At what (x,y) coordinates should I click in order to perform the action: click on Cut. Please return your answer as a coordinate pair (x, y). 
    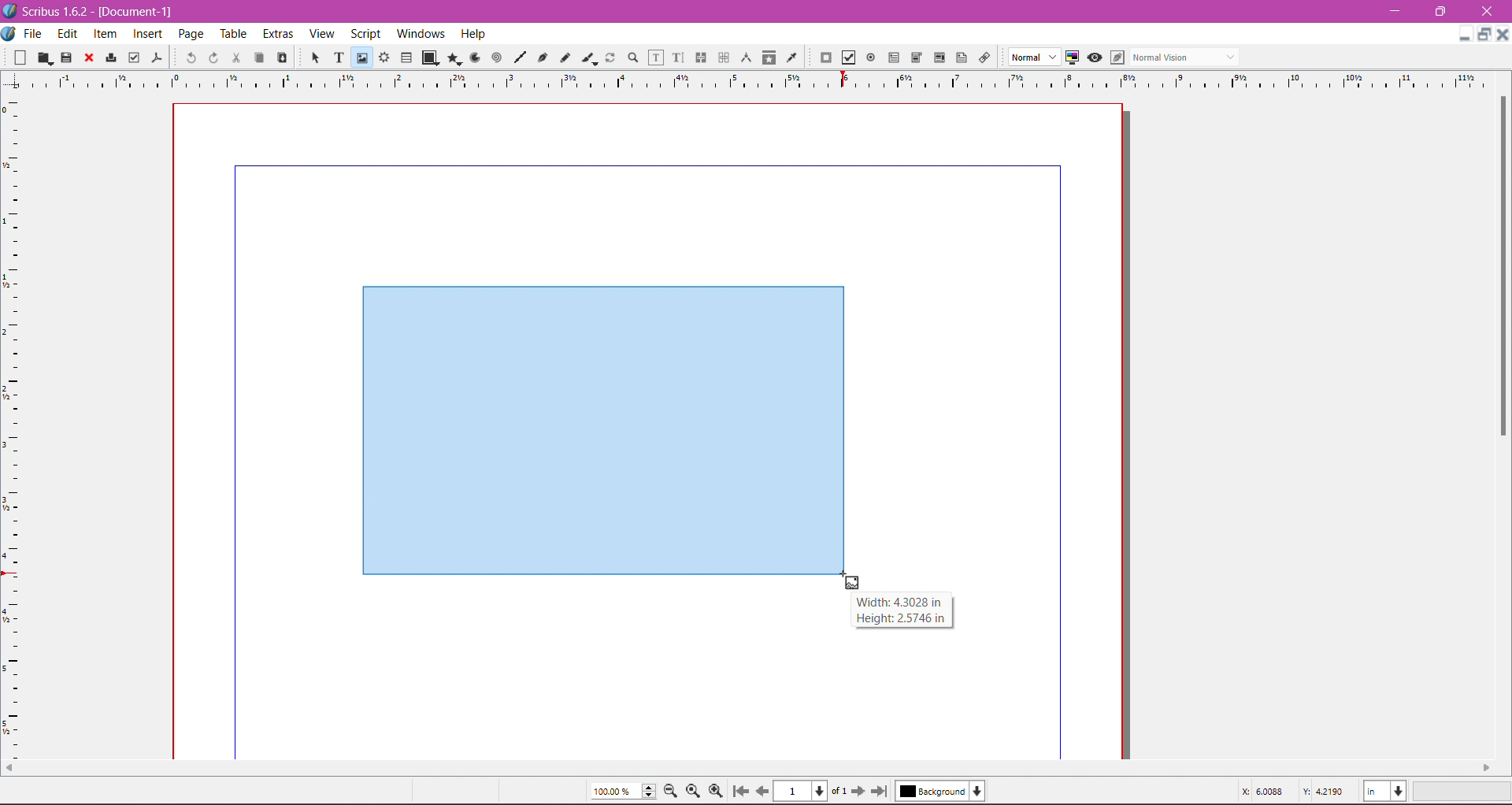
    Looking at the image, I should click on (236, 58).